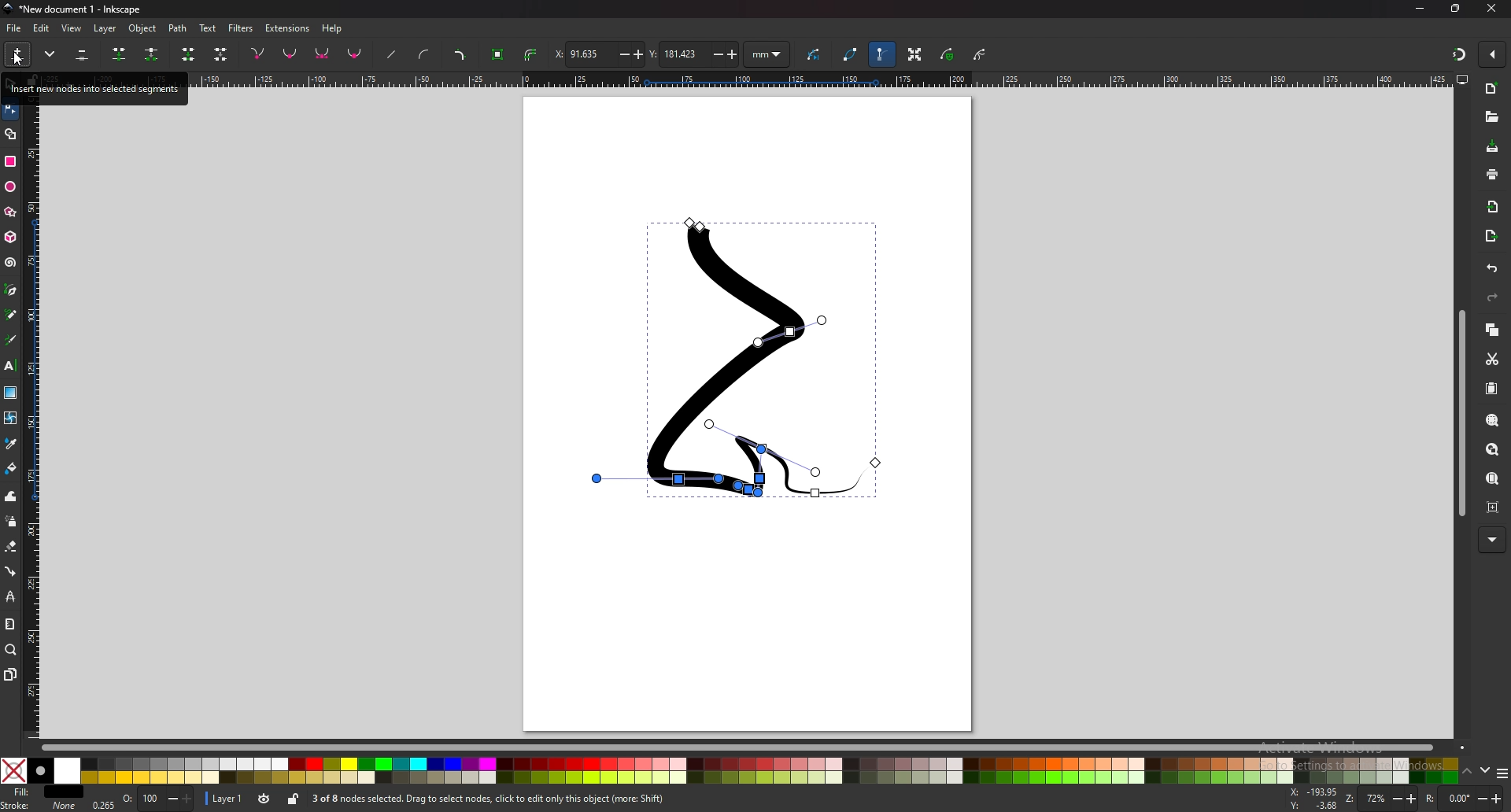 The height and width of the screenshot is (812, 1511). What do you see at coordinates (292, 801) in the screenshot?
I see `lock` at bounding box center [292, 801].